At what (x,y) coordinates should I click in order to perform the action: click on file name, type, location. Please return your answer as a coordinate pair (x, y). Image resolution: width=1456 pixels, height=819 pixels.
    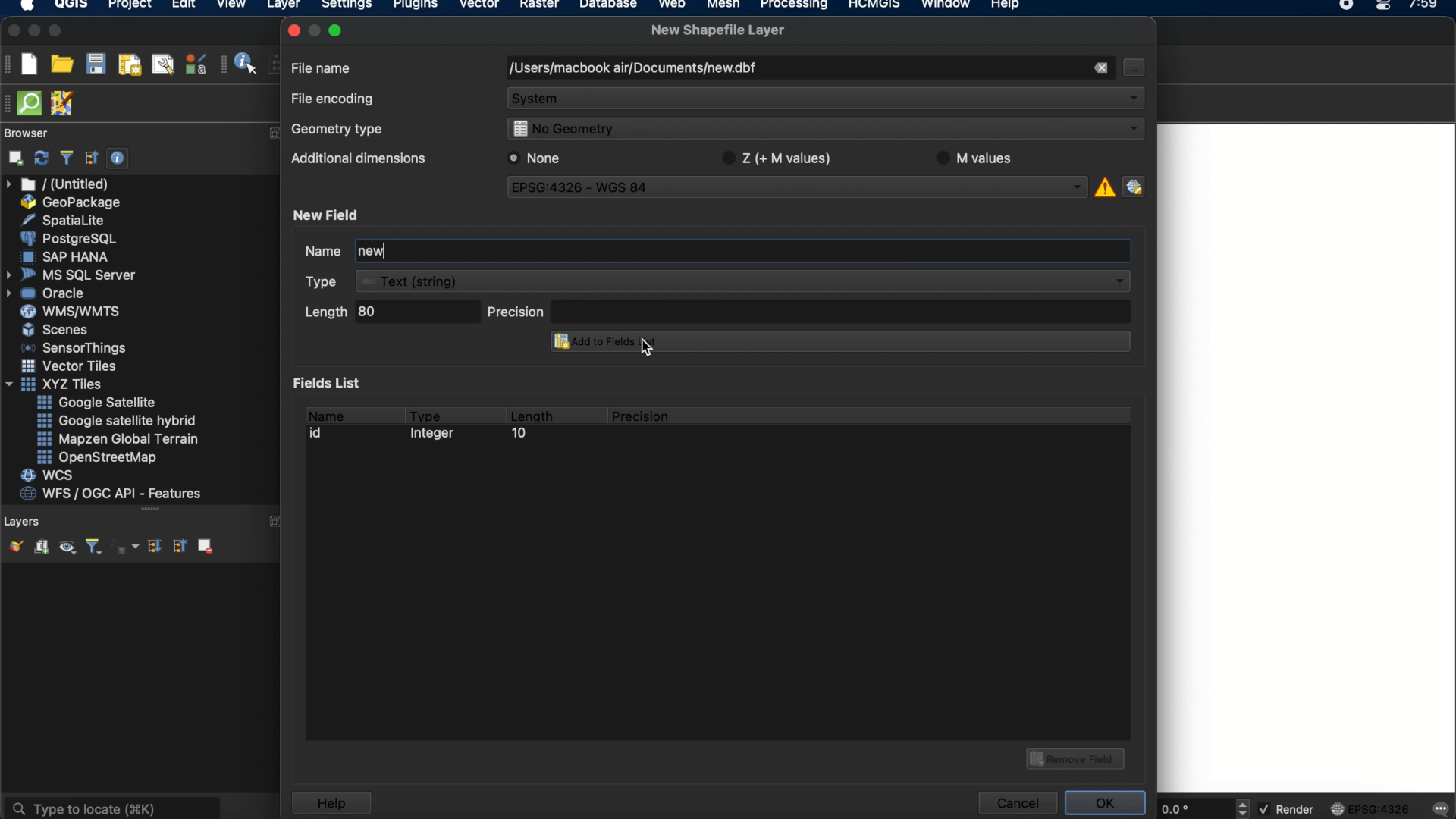
    Looking at the image, I should click on (632, 69).